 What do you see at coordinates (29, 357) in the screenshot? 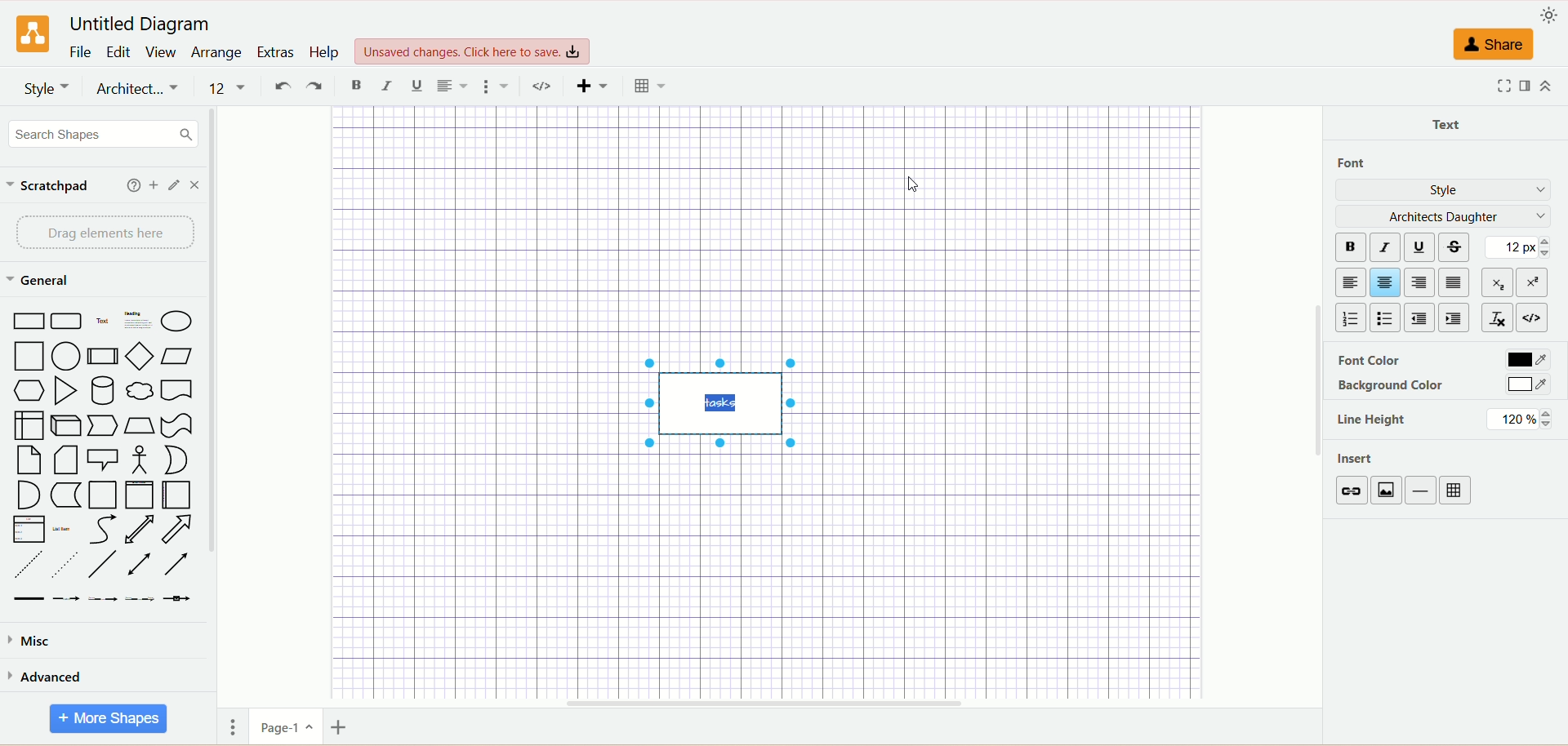
I see `Square` at bounding box center [29, 357].